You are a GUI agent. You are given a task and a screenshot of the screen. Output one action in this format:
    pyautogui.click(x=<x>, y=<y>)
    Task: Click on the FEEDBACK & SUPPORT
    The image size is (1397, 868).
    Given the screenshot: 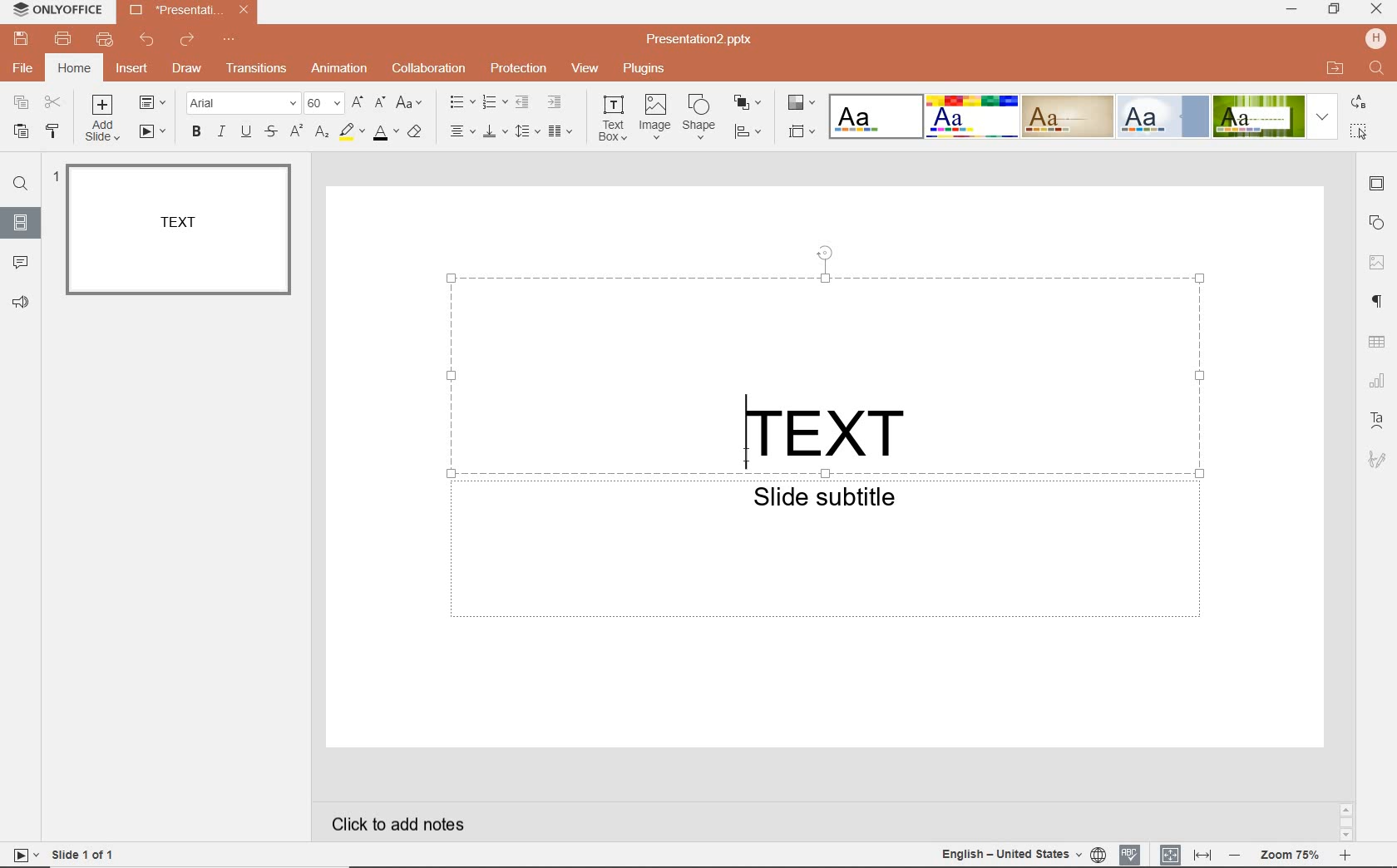 What is the action you would take?
    pyautogui.click(x=22, y=304)
    